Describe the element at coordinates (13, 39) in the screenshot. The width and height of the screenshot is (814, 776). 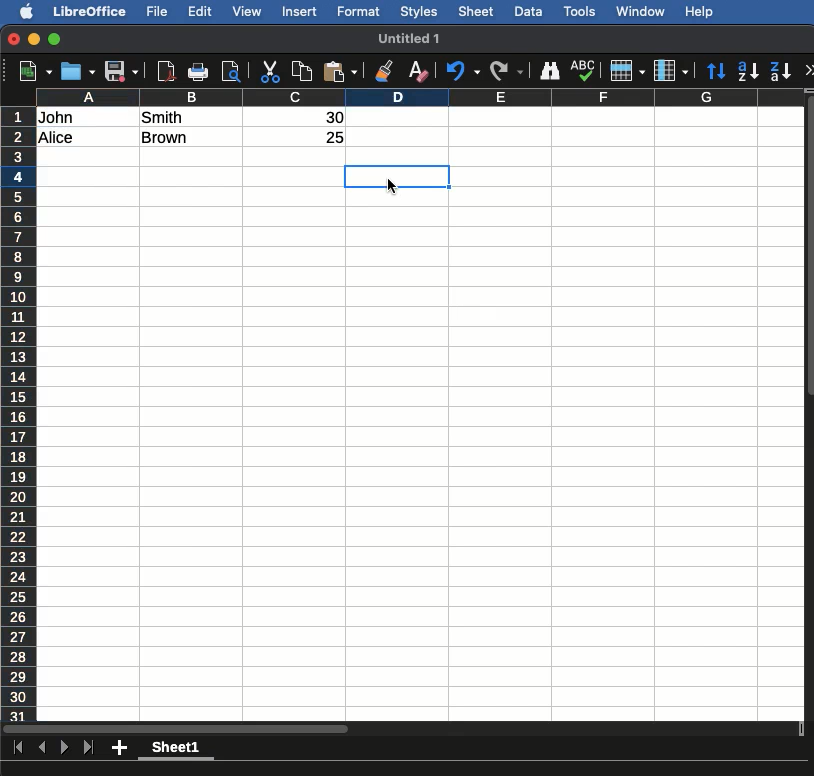
I see `Close` at that location.